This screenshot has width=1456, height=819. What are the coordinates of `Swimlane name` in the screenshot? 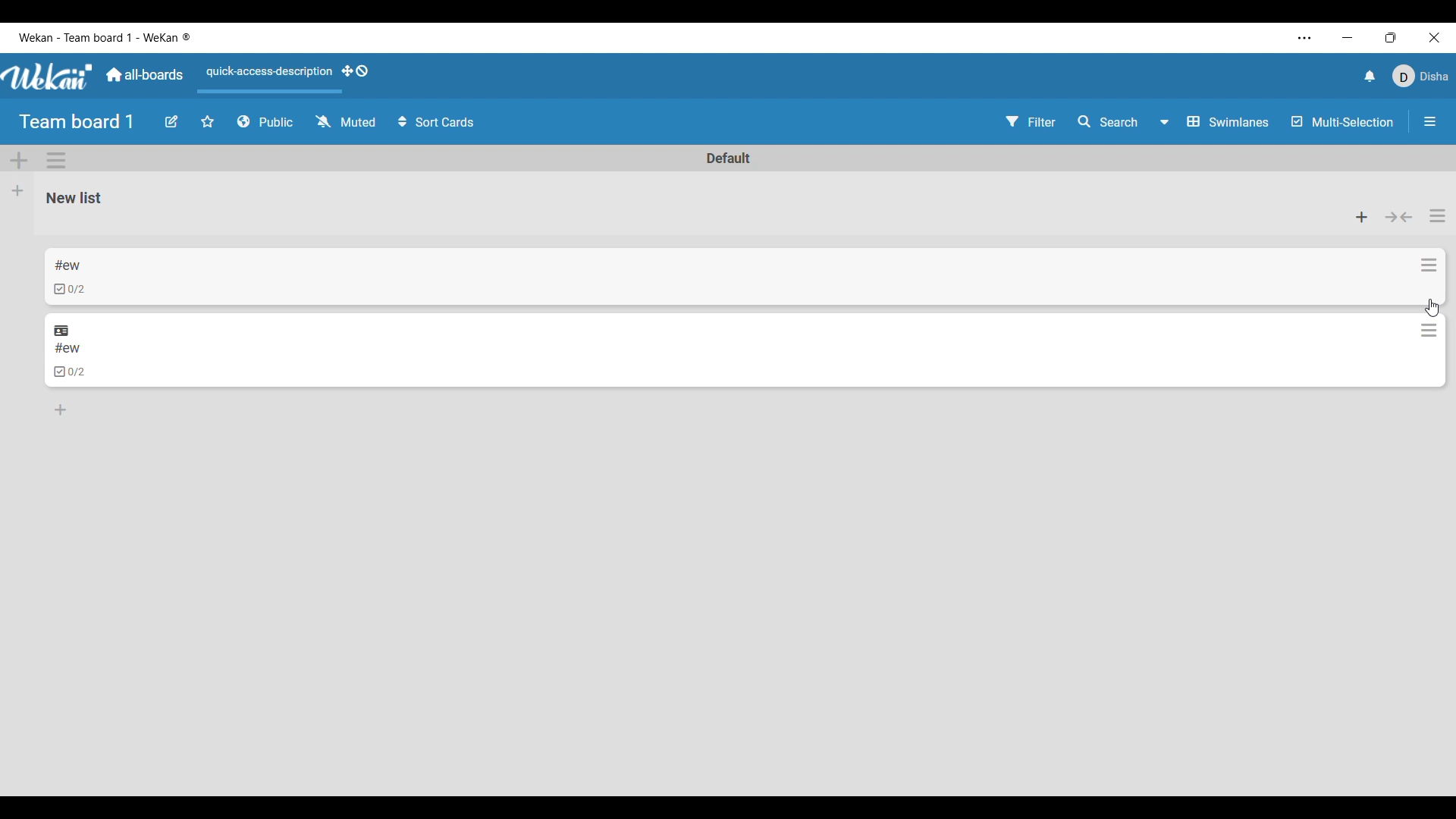 It's located at (729, 158).